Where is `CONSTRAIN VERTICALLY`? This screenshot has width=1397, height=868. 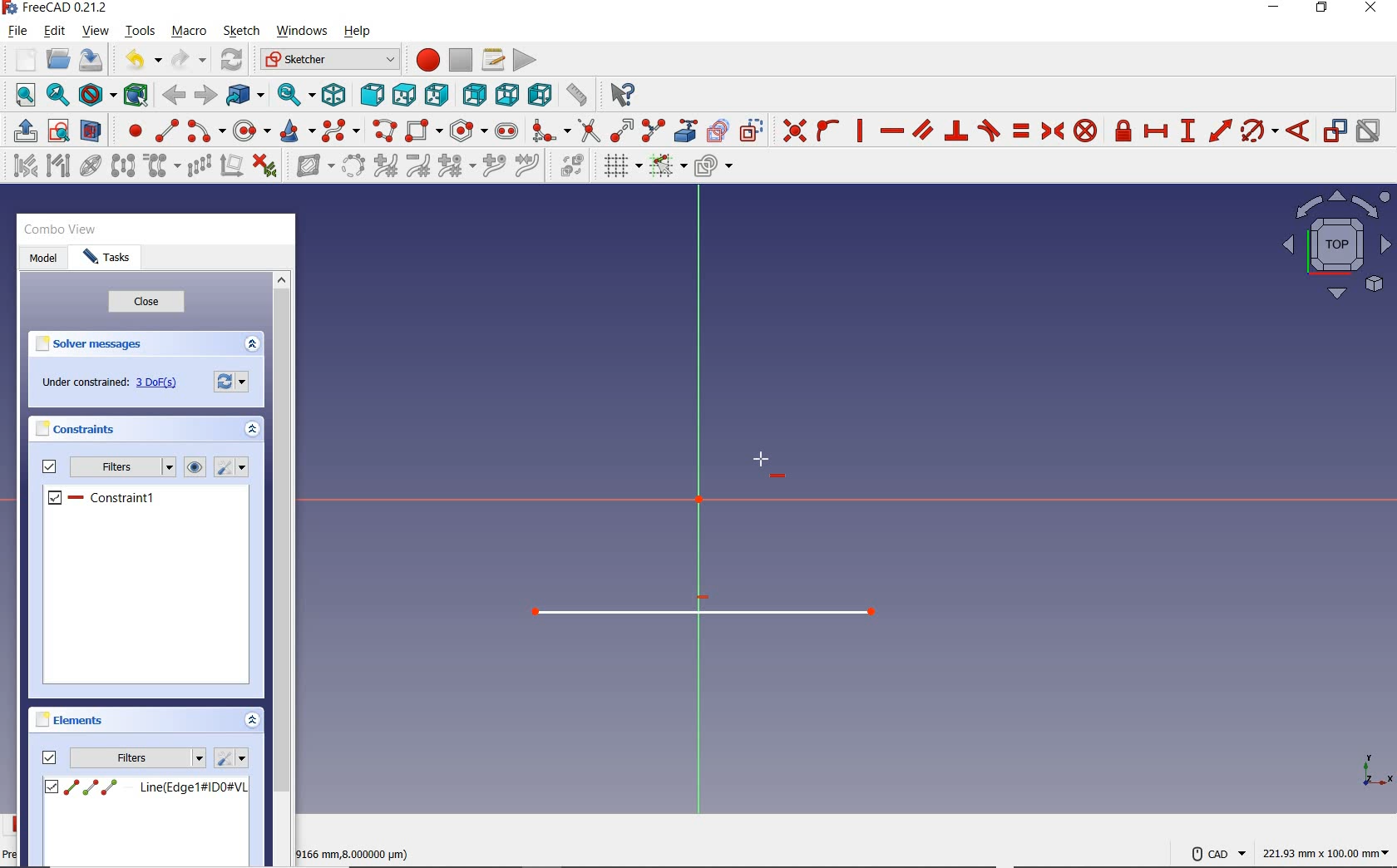 CONSTRAIN VERTICALLY is located at coordinates (859, 129).